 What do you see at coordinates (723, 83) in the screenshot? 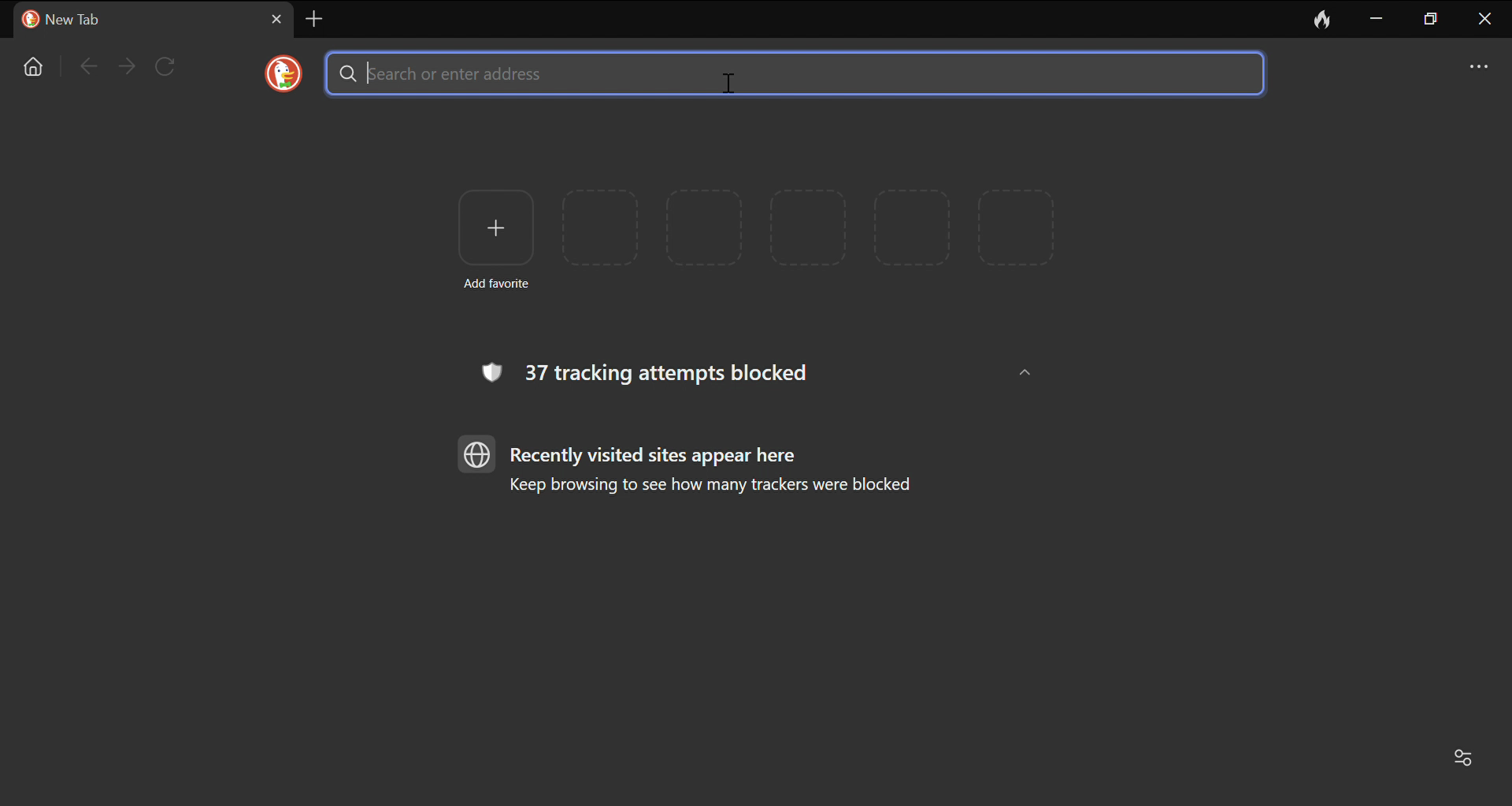
I see `cursor` at bounding box center [723, 83].